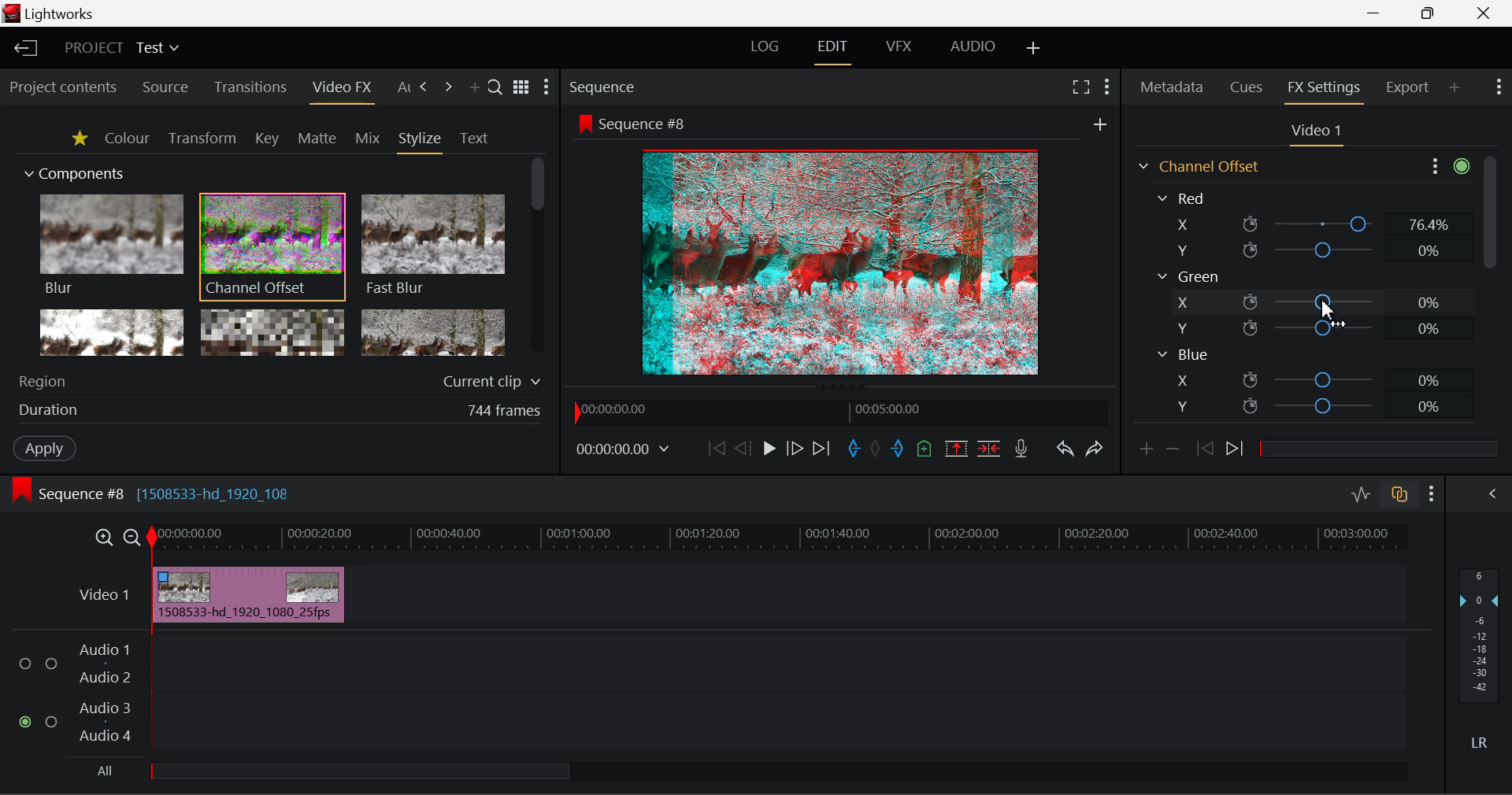 This screenshot has height=795, width=1512. Describe the element at coordinates (1196, 166) in the screenshot. I see `Channel Offset` at that location.